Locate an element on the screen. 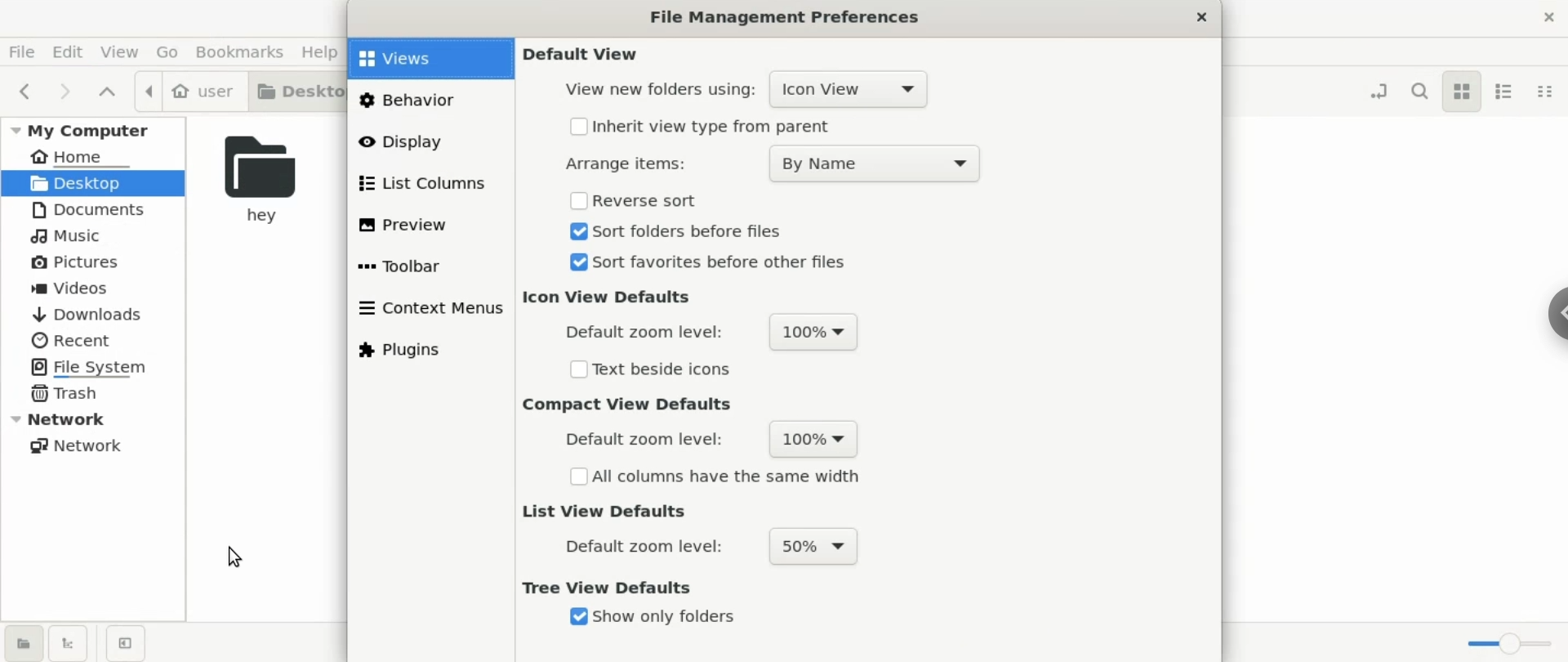 The height and width of the screenshot is (662, 1568). cursor is located at coordinates (234, 559).